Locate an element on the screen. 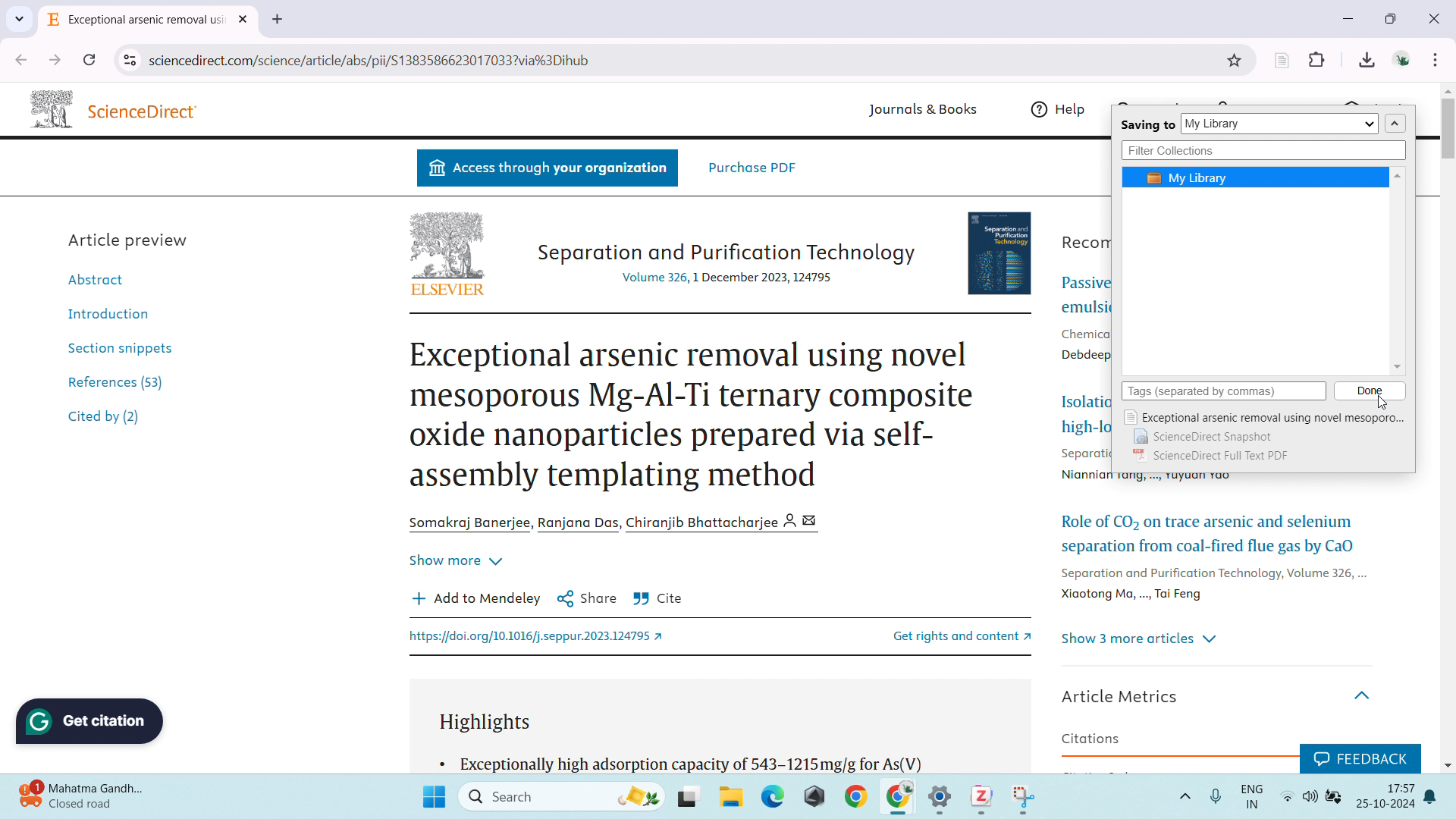  Grammarly is located at coordinates (92, 721).